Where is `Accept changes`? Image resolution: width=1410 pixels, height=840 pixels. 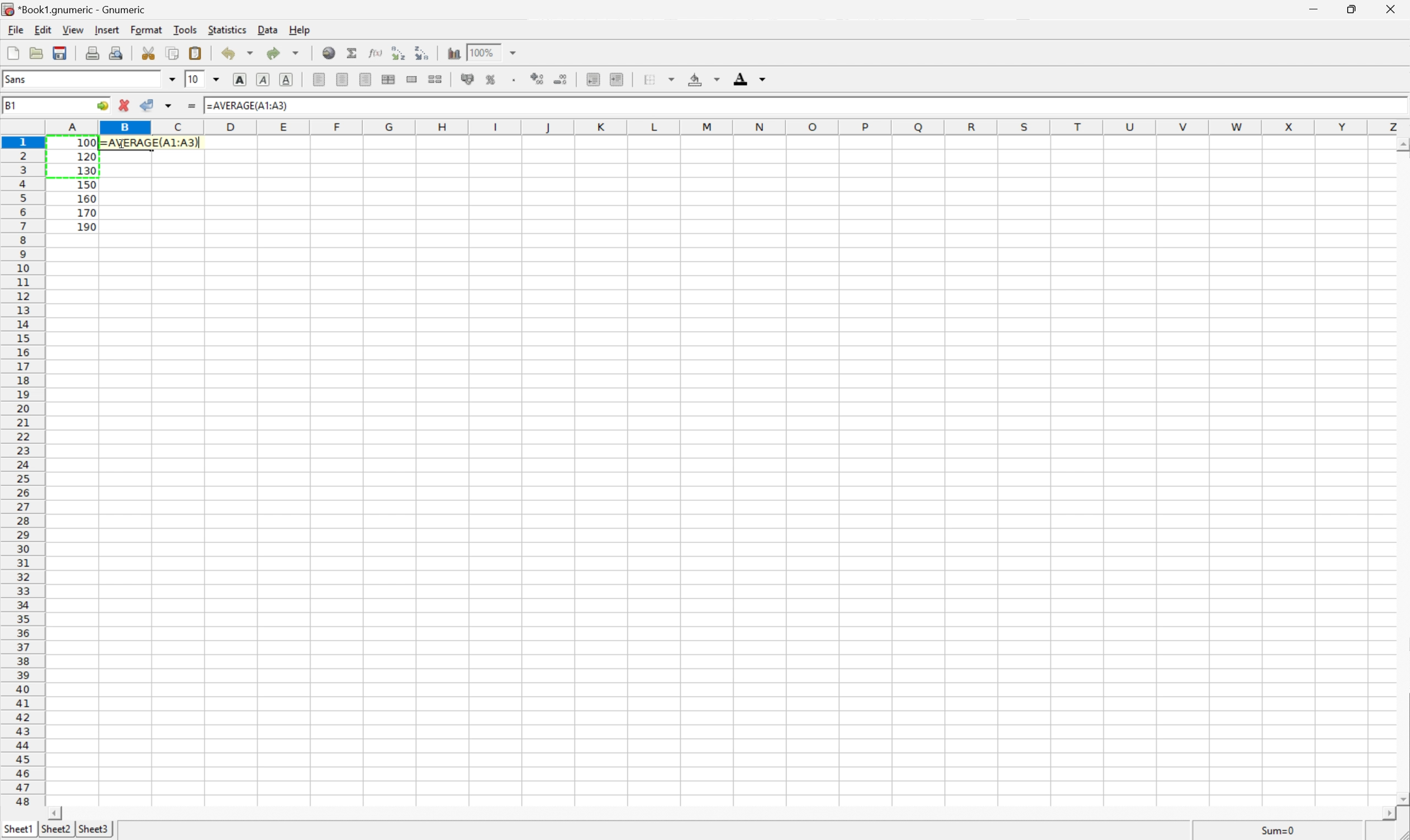
Accept changes is located at coordinates (149, 105).